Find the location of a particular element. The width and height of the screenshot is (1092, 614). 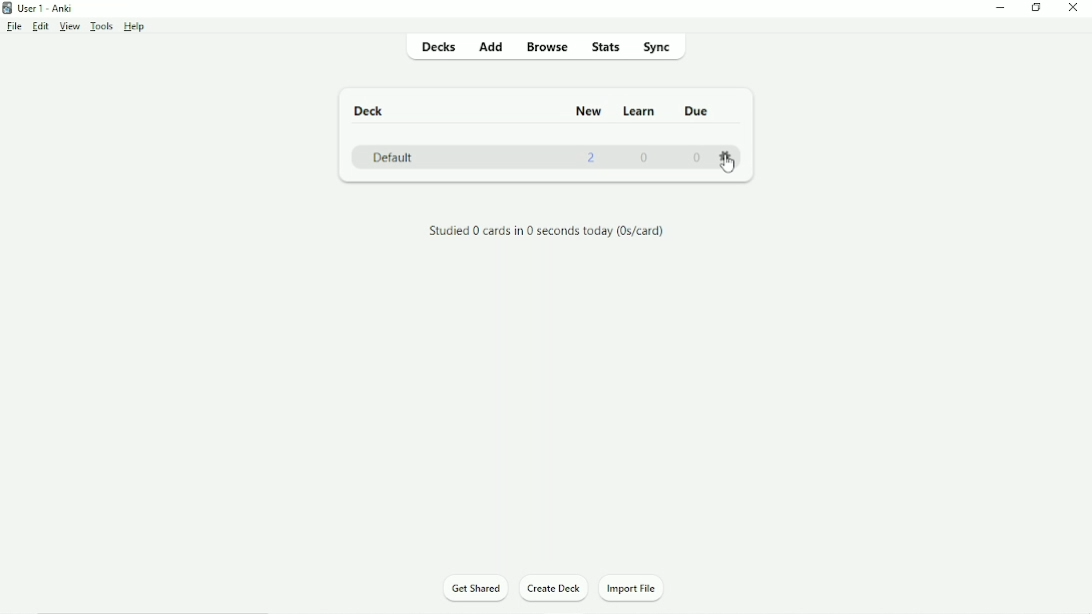

Edit is located at coordinates (40, 26).